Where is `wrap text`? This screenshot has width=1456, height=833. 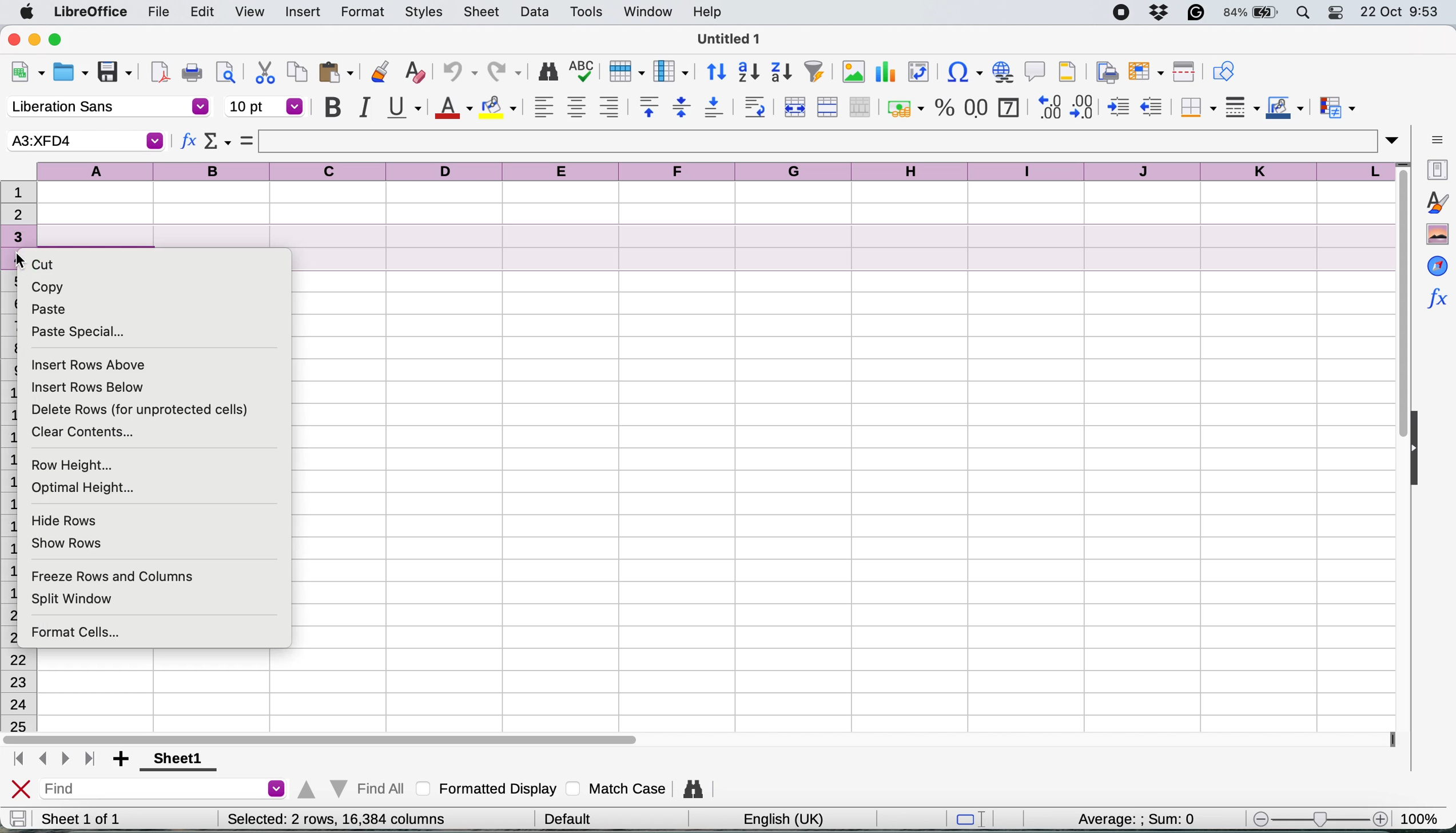 wrap text is located at coordinates (755, 106).